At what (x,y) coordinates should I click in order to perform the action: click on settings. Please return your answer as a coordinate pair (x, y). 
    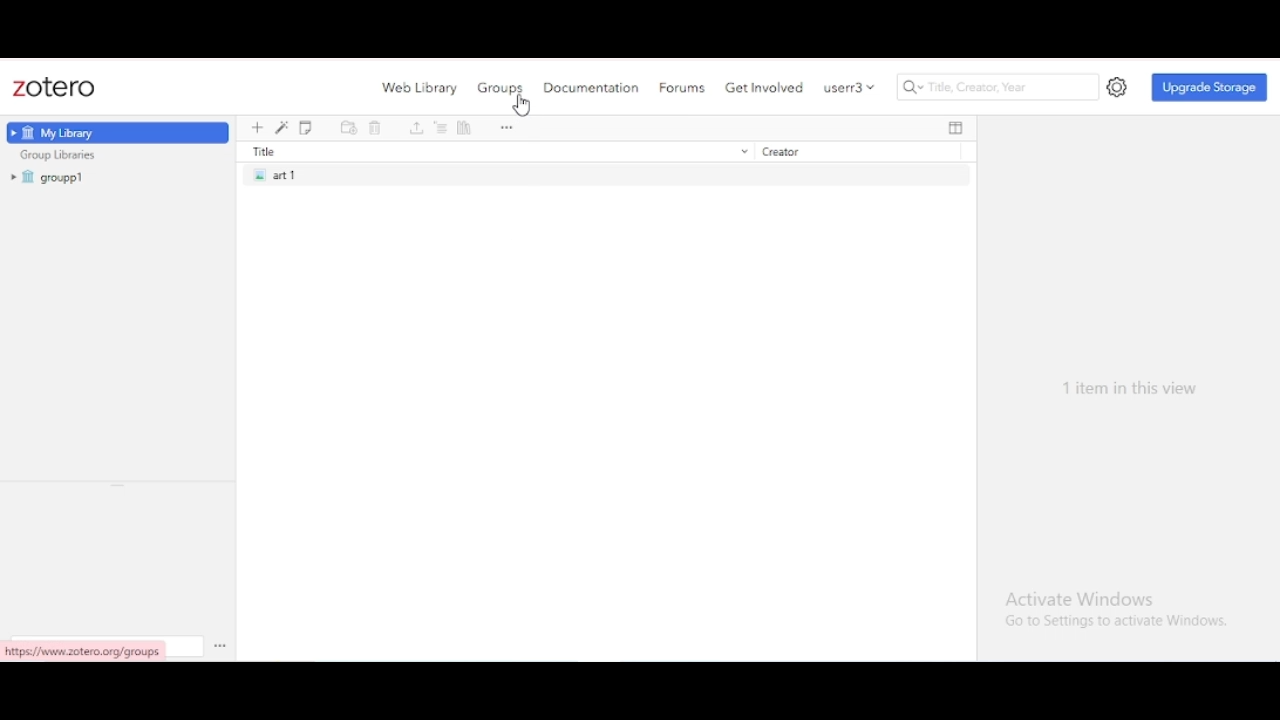
    Looking at the image, I should click on (1118, 88).